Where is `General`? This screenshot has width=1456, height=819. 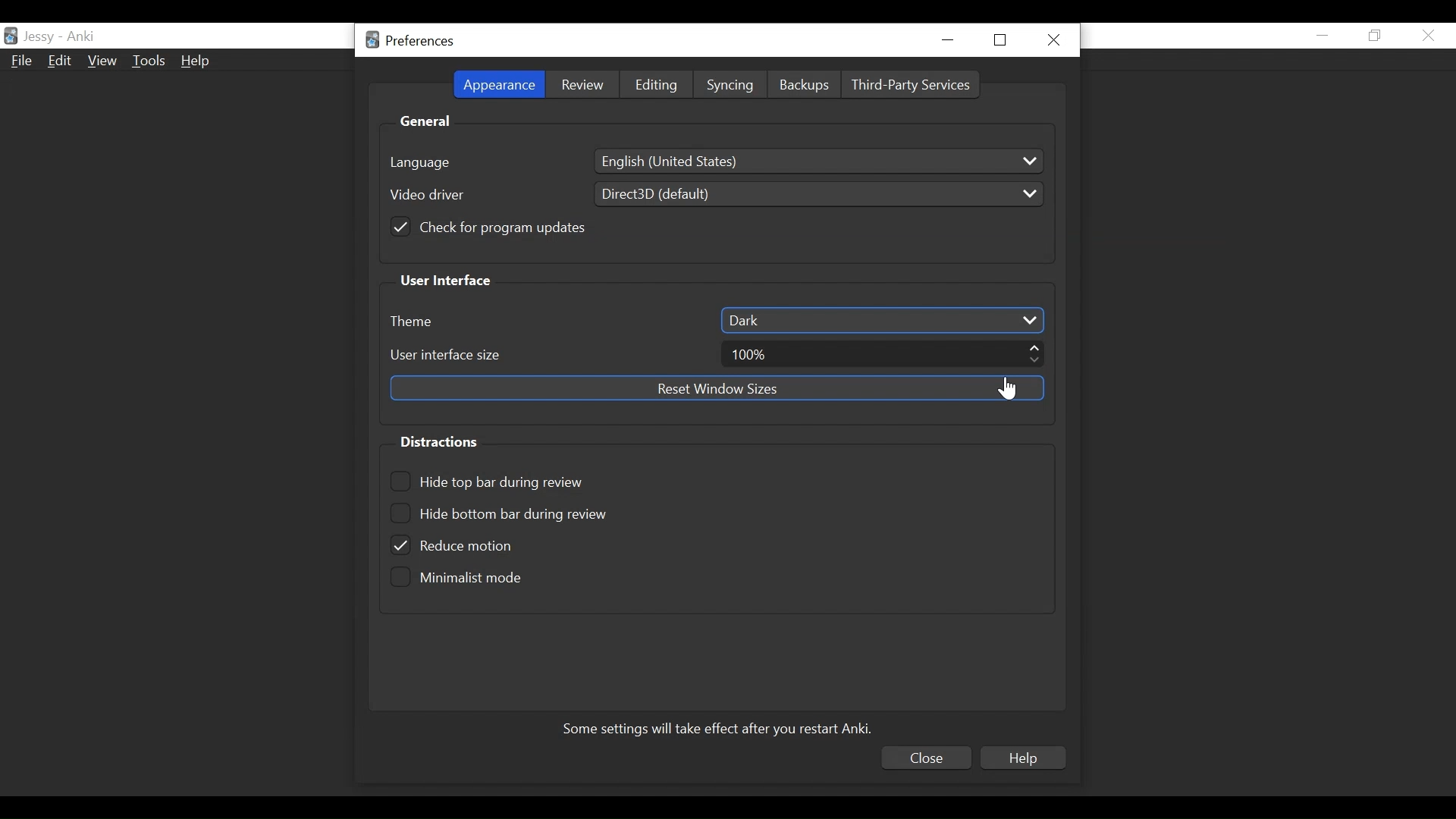
General is located at coordinates (424, 120).